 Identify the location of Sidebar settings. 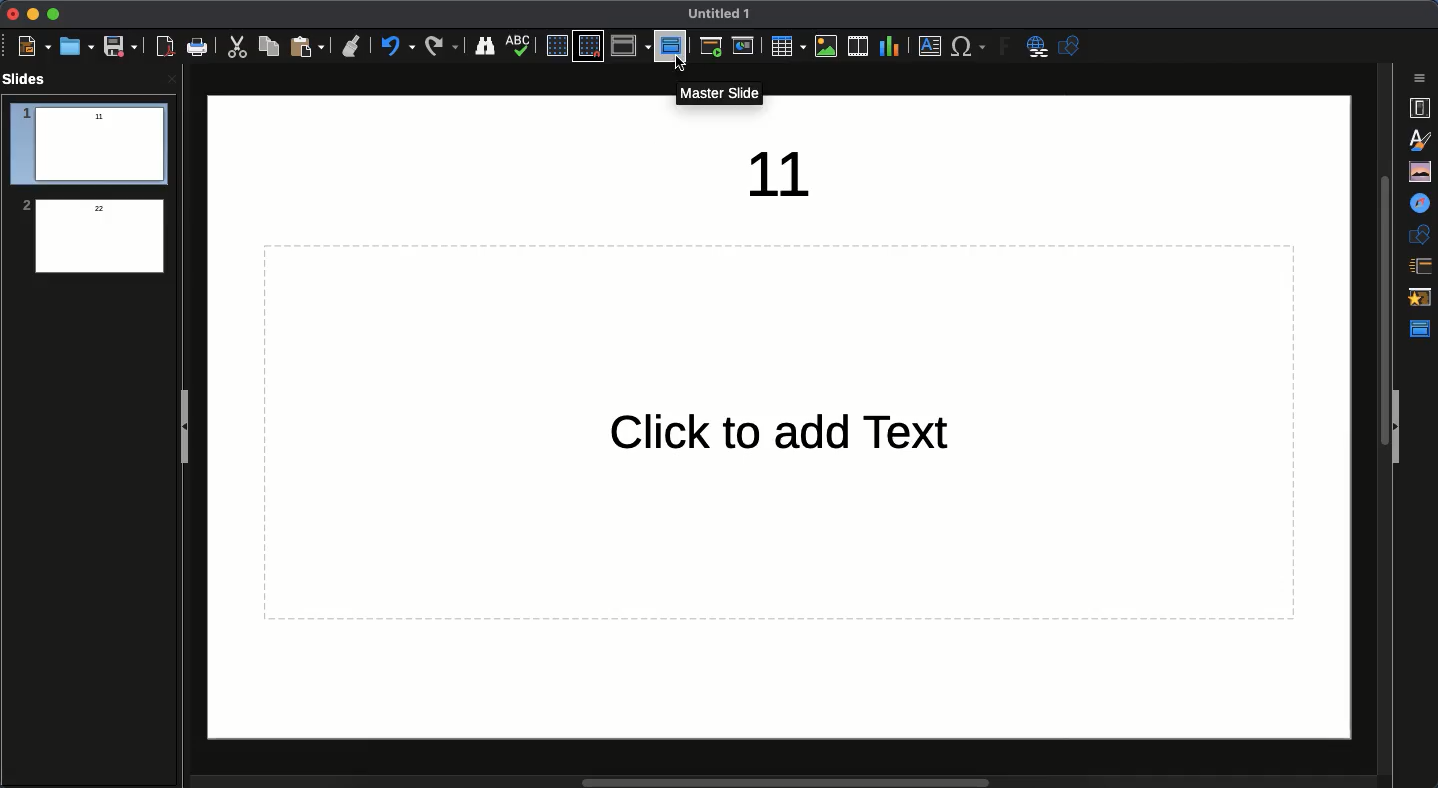
(1422, 78).